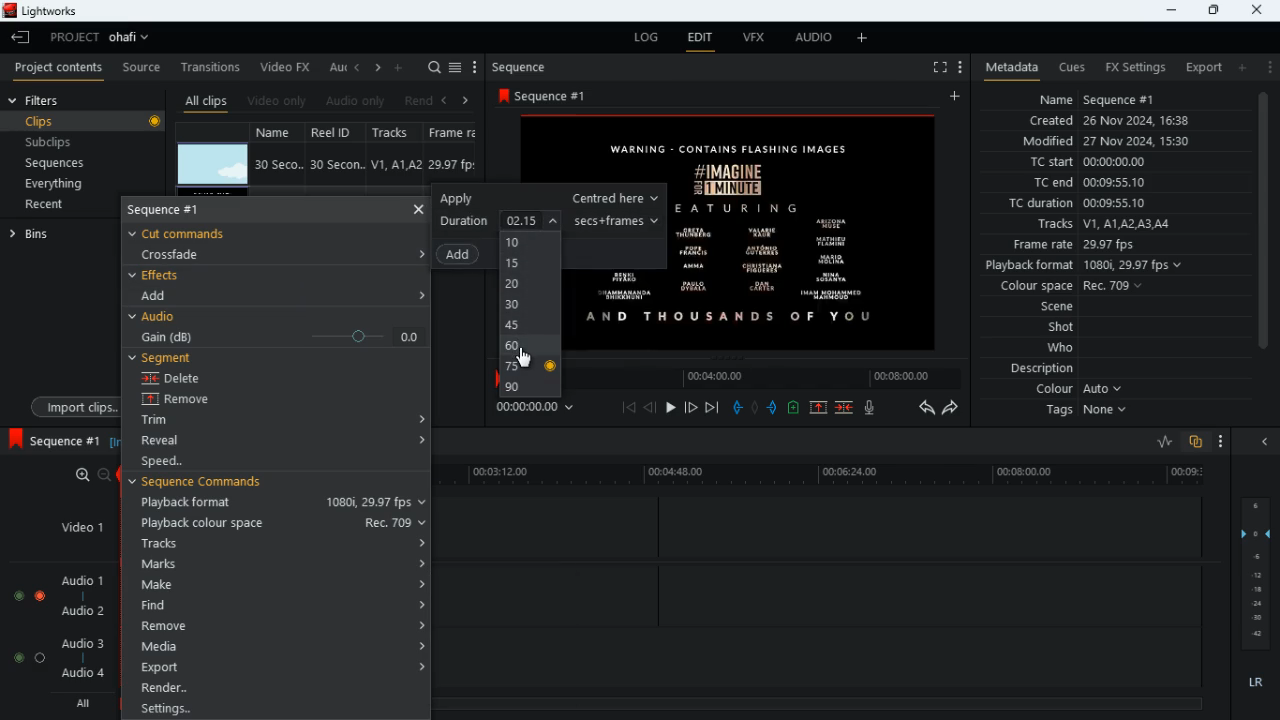 The width and height of the screenshot is (1280, 720). What do you see at coordinates (775, 409) in the screenshot?
I see `push` at bounding box center [775, 409].